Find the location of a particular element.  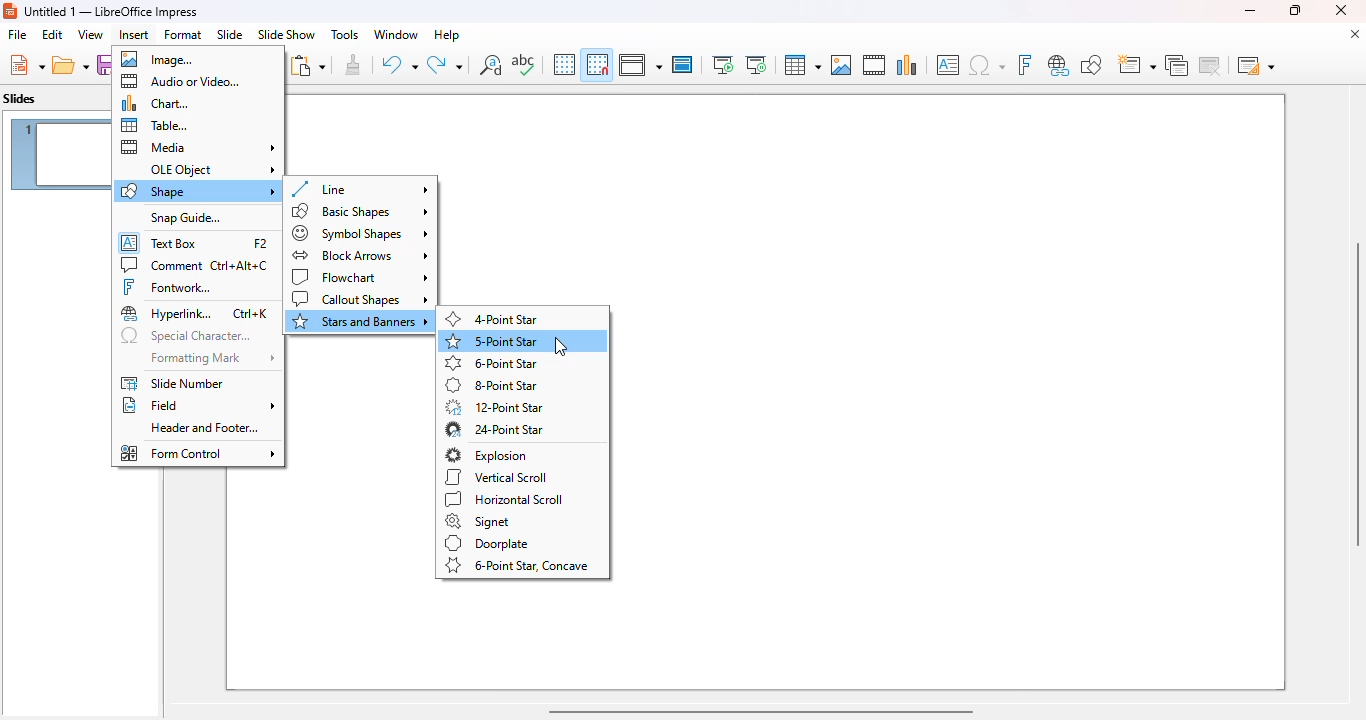

doorplate is located at coordinates (487, 543).